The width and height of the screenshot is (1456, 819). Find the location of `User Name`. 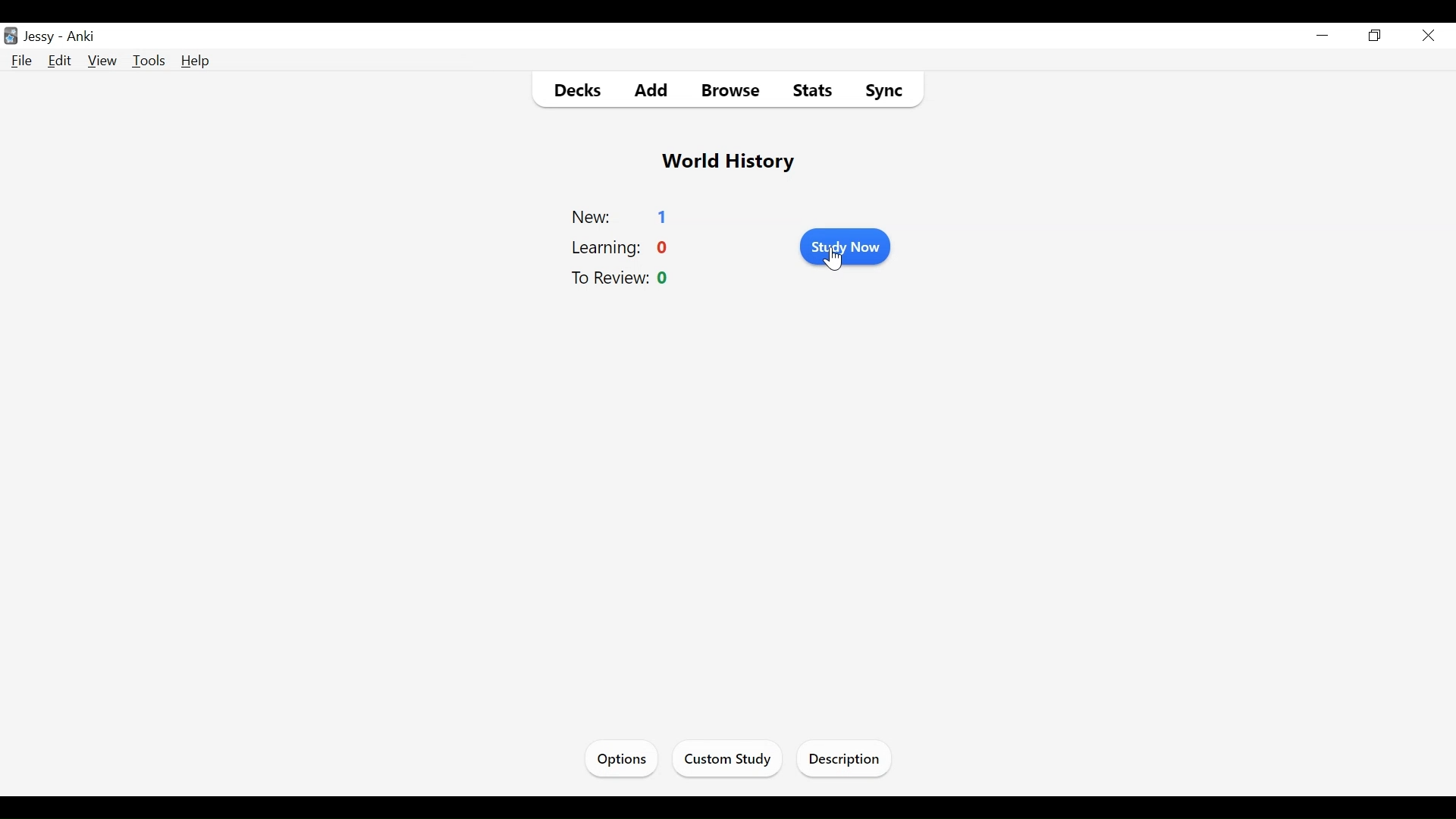

User Name is located at coordinates (39, 38).